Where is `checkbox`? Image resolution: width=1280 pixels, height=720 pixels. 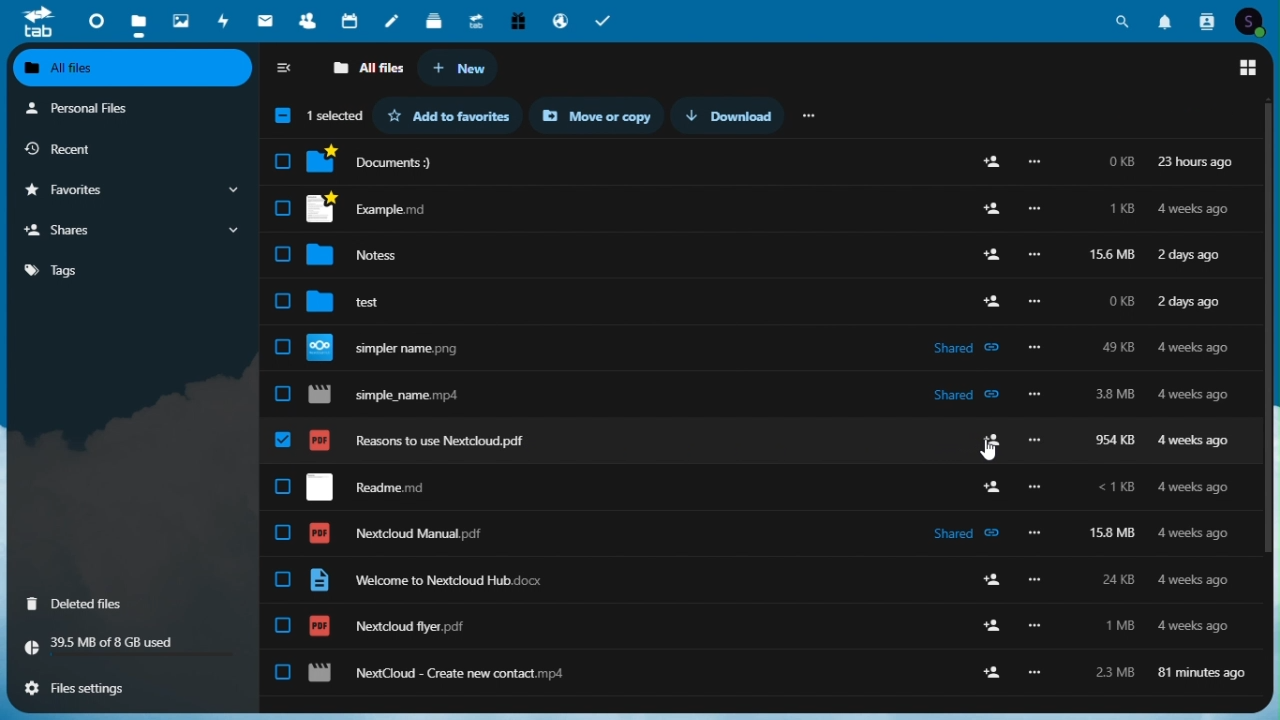
checkbox is located at coordinates (282, 349).